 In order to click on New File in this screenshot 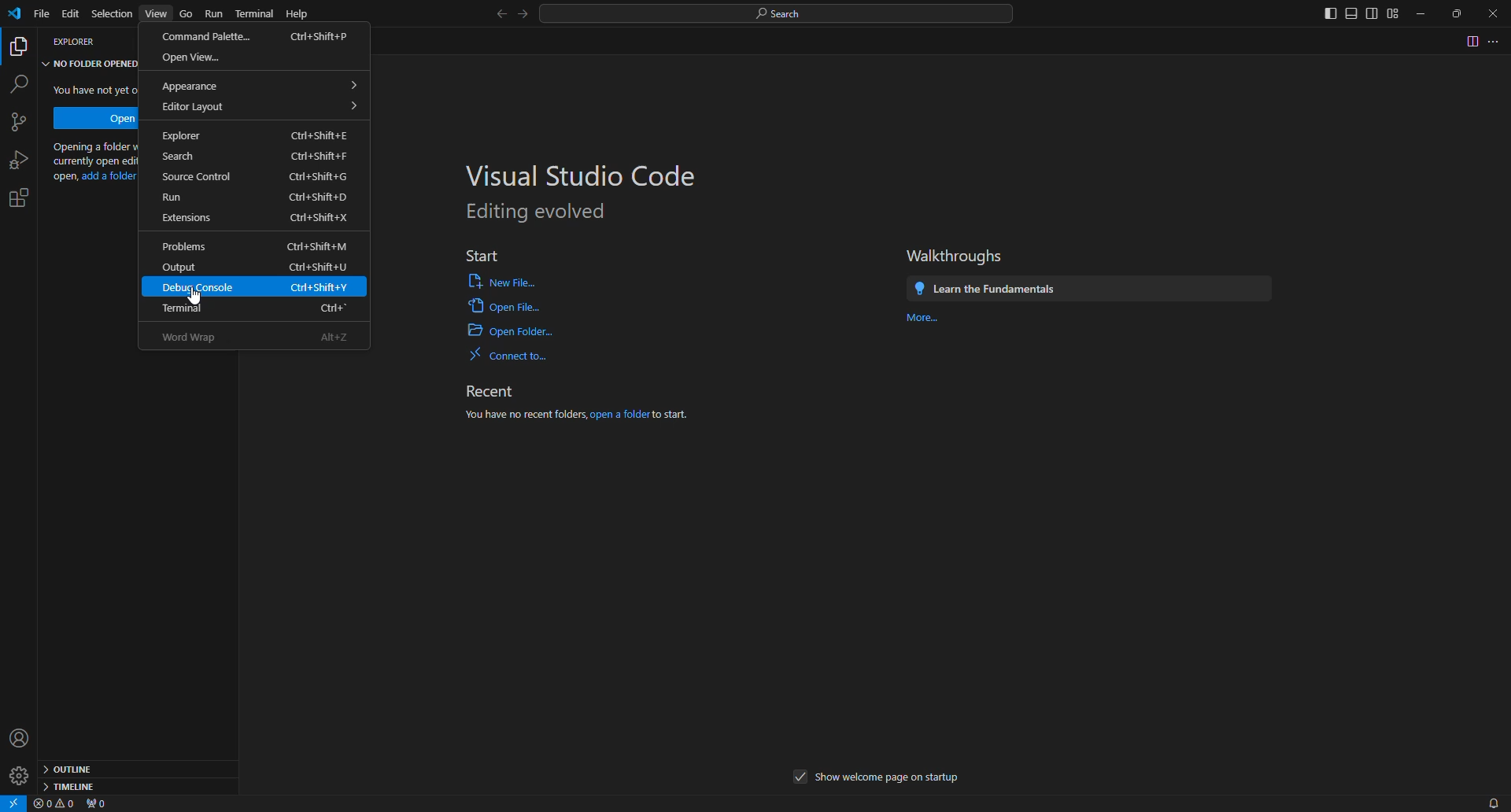, I will do `click(495, 281)`.